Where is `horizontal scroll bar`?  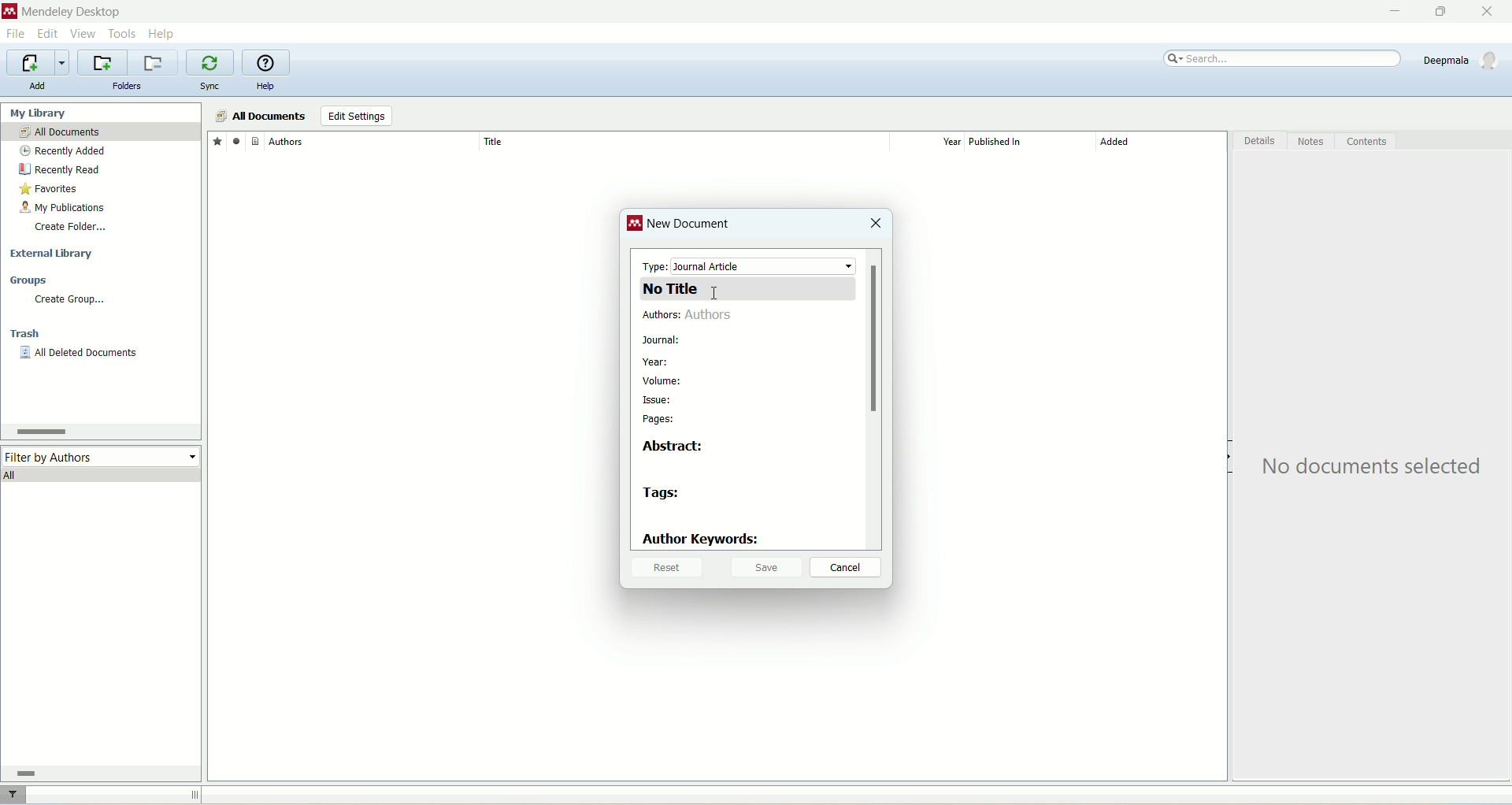
horizontal scroll bar is located at coordinates (98, 773).